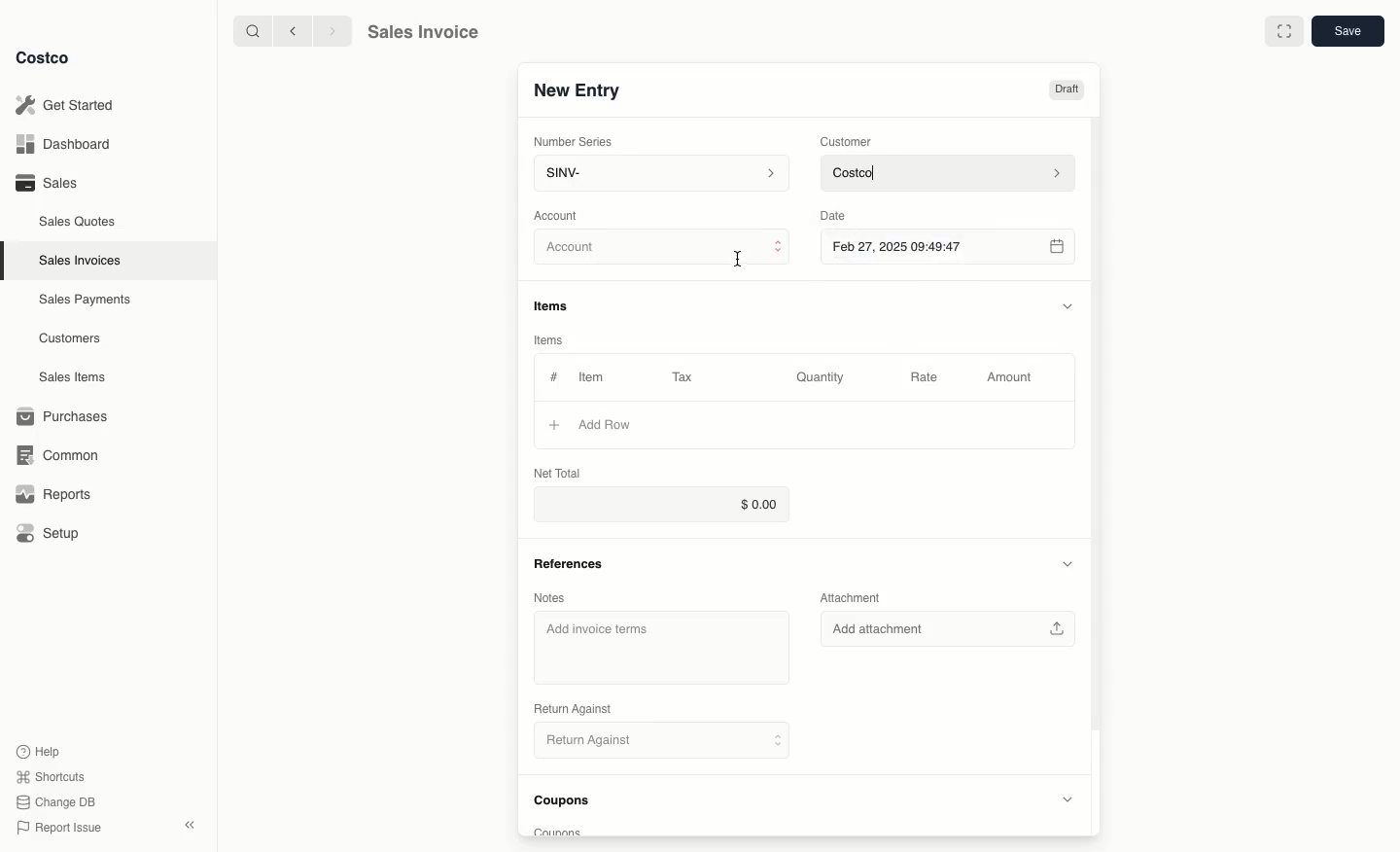 The height and width of the screenshot is (852, 1400). Describe the element at coordinates (44, 58) in the screenshot. I see `Costco` at that location.